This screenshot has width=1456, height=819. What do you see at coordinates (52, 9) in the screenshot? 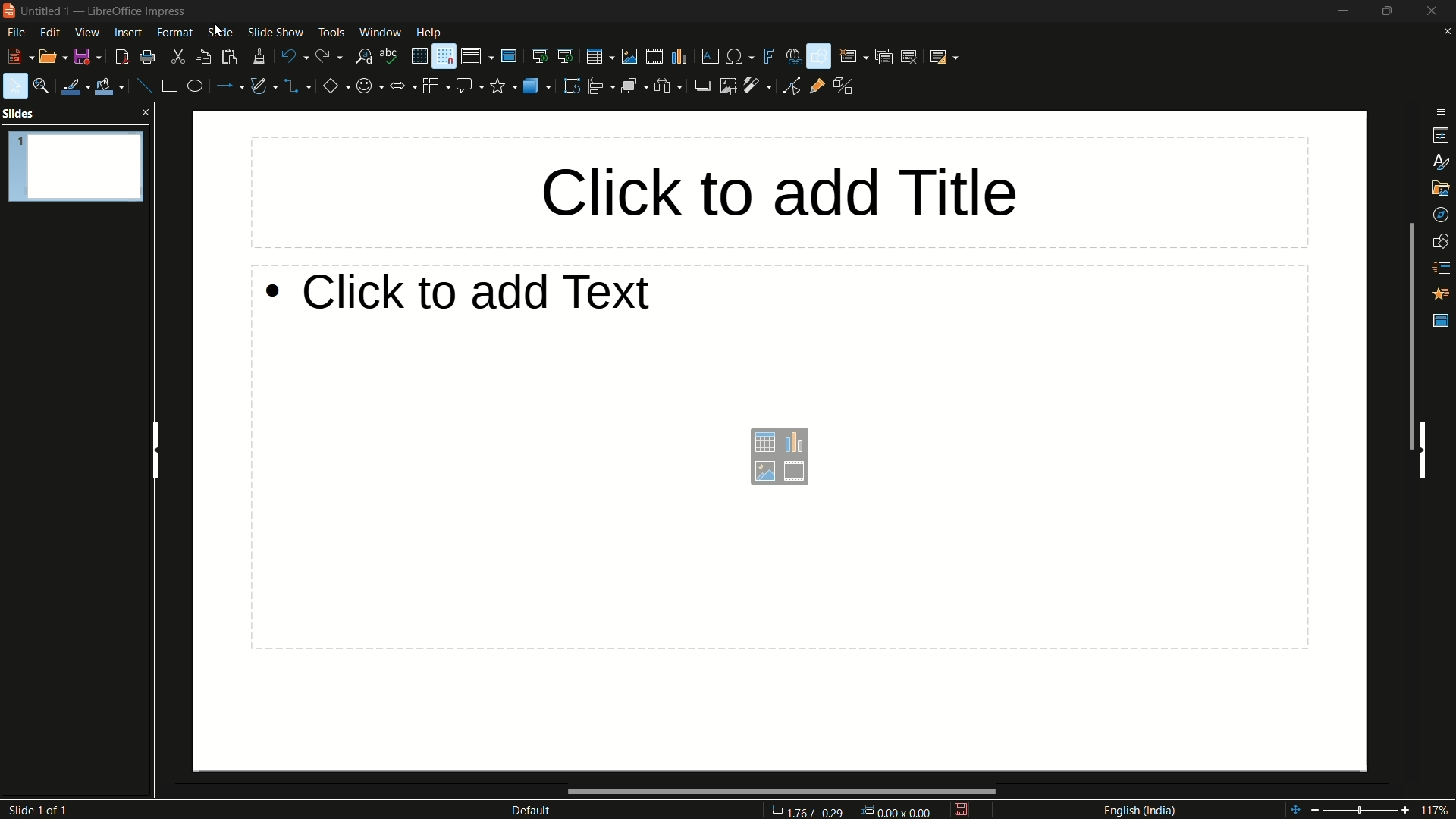
I see `file name` at bounding box center [52, 9].